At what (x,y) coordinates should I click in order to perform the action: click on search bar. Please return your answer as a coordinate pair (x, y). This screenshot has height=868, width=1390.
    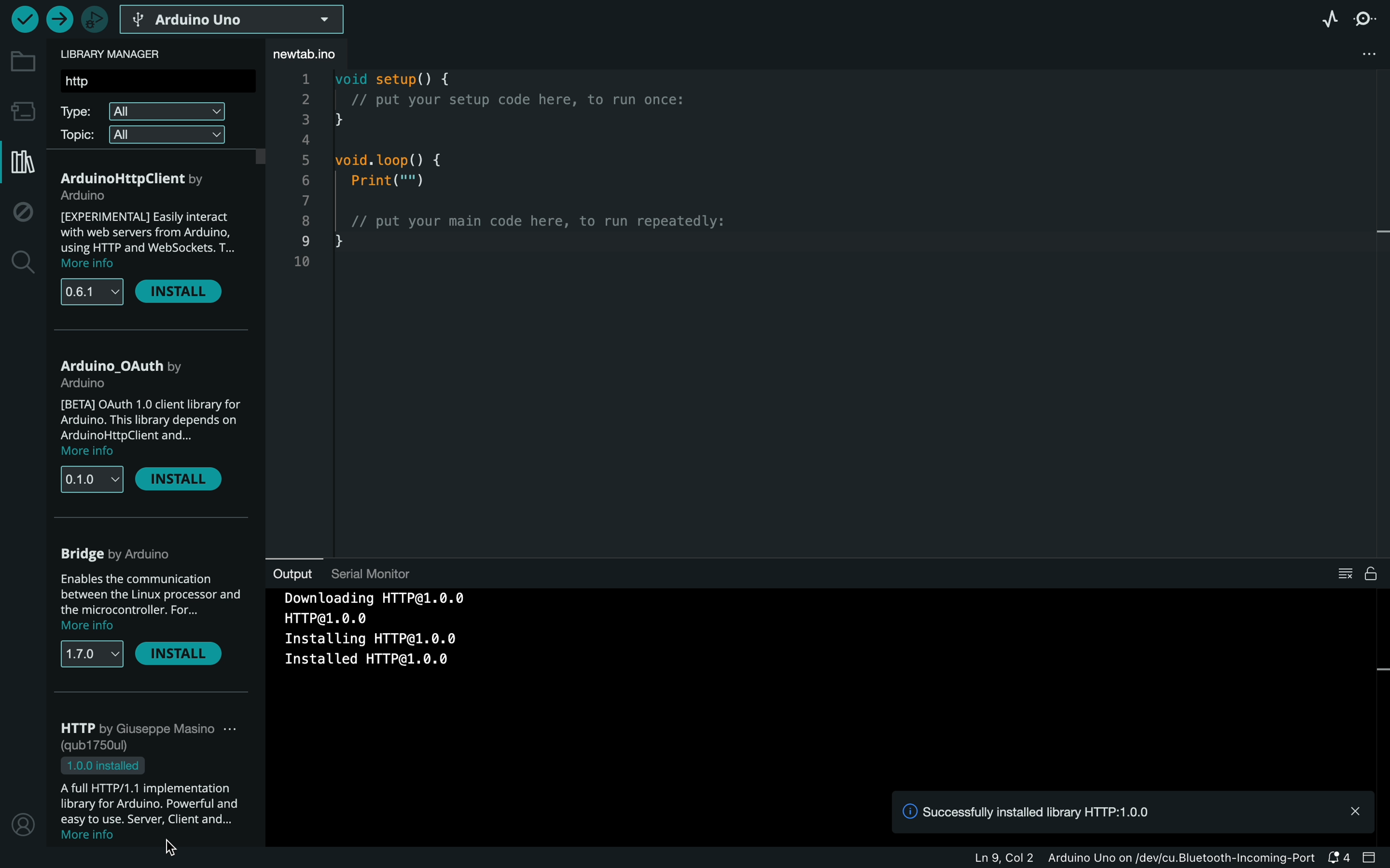
    Looking at the image, I should click on (159, 83).